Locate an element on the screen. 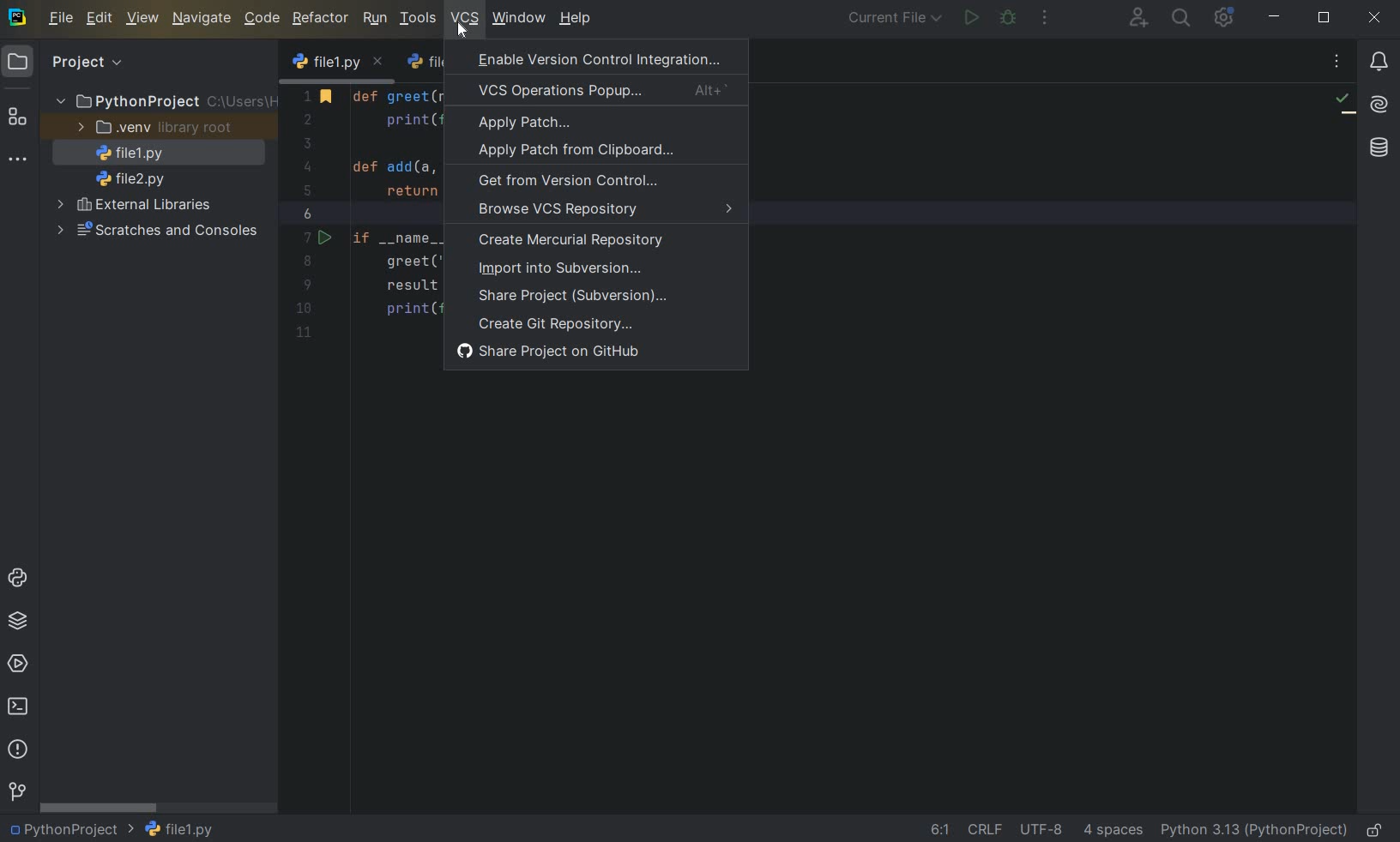 This screenshot has width=1400, height=842. notifications is located at coordinates (1380, 62).